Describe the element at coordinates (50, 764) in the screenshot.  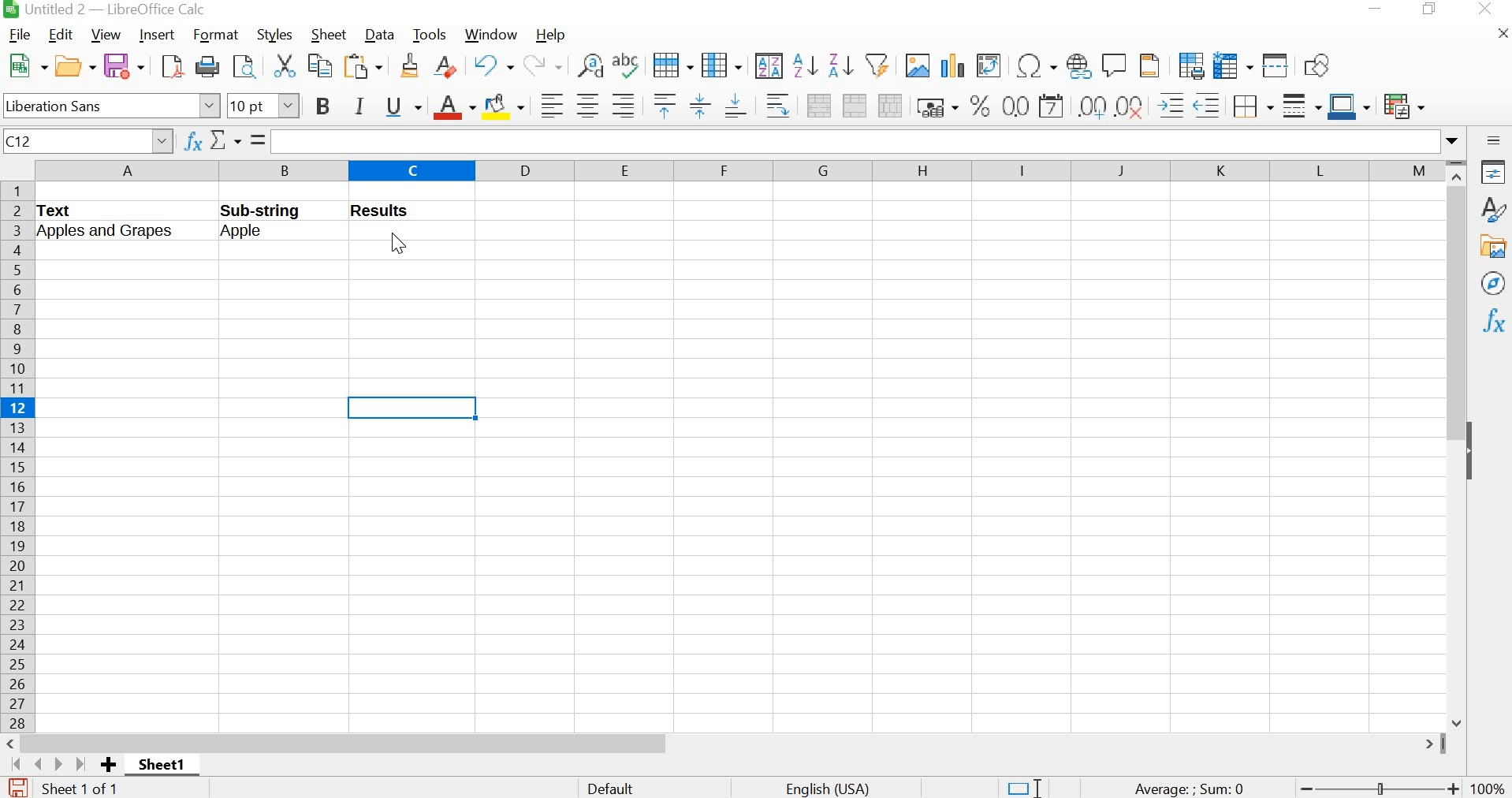
I see `move to next sheet buttons` at that location.